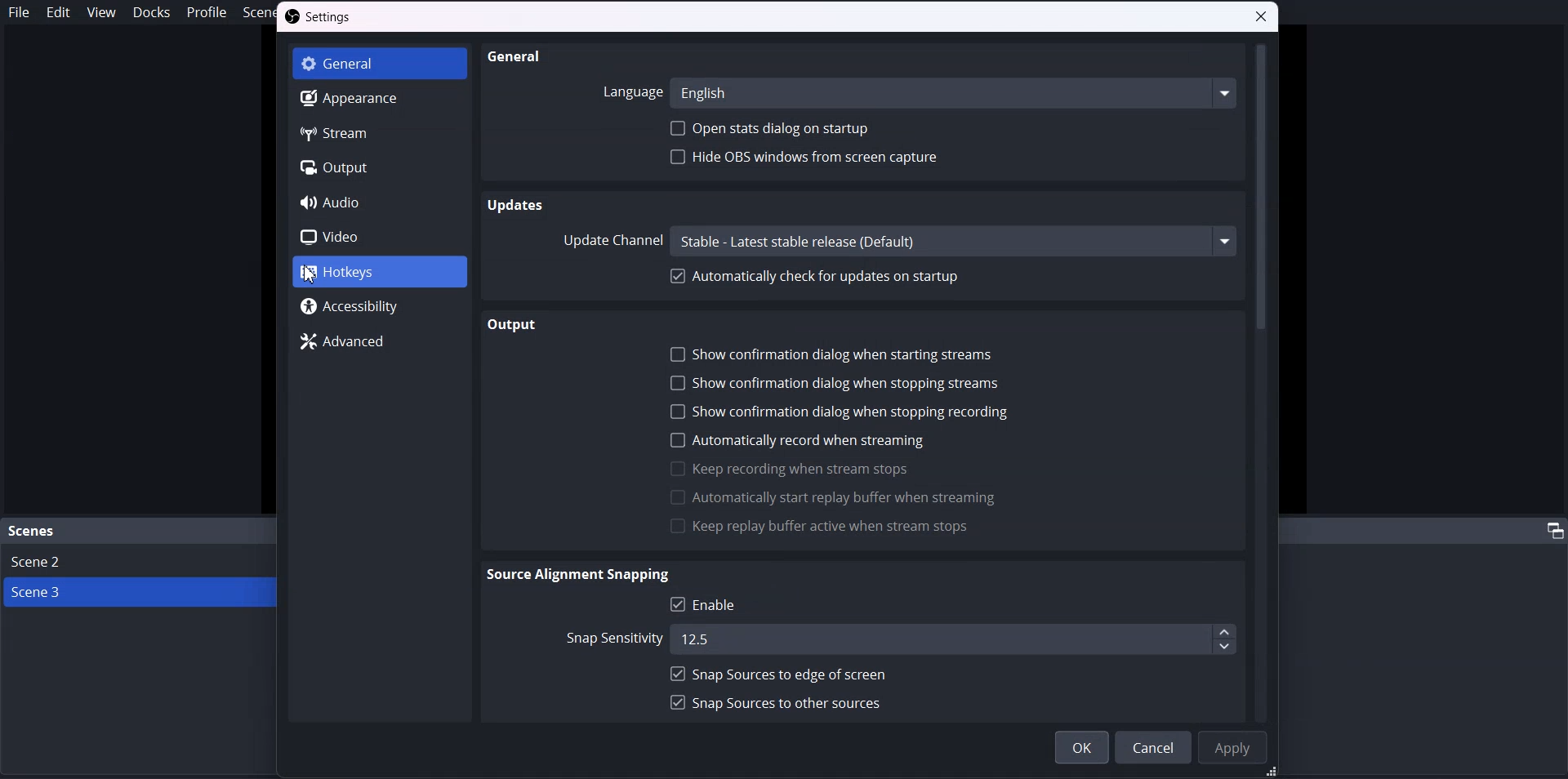 Image resolution: width=1568 pixels, height=779 pixels. What do you see at coordinates (58, 12) in the screenshot?
I see `Edit` at bounding box center [58, 12].